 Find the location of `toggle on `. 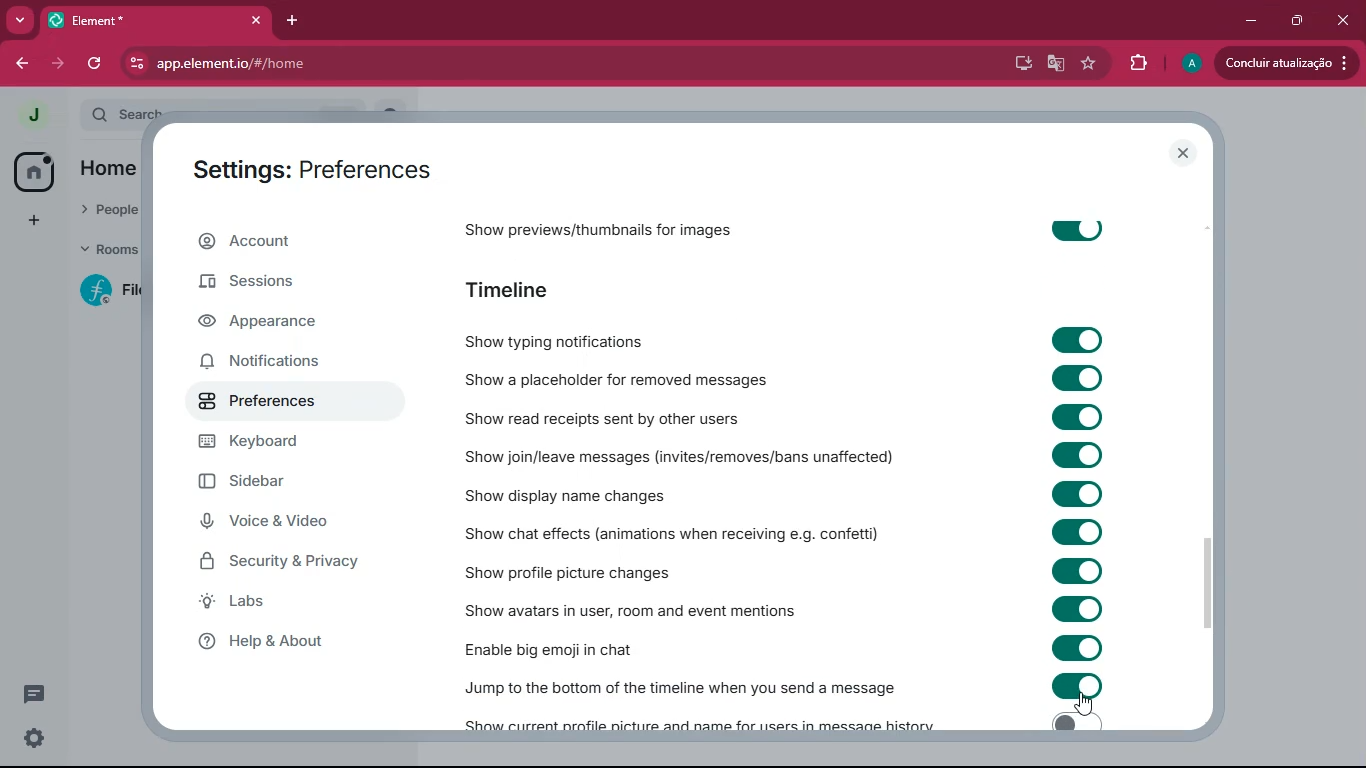

toggle on  is located at coordinates (1078, 569).